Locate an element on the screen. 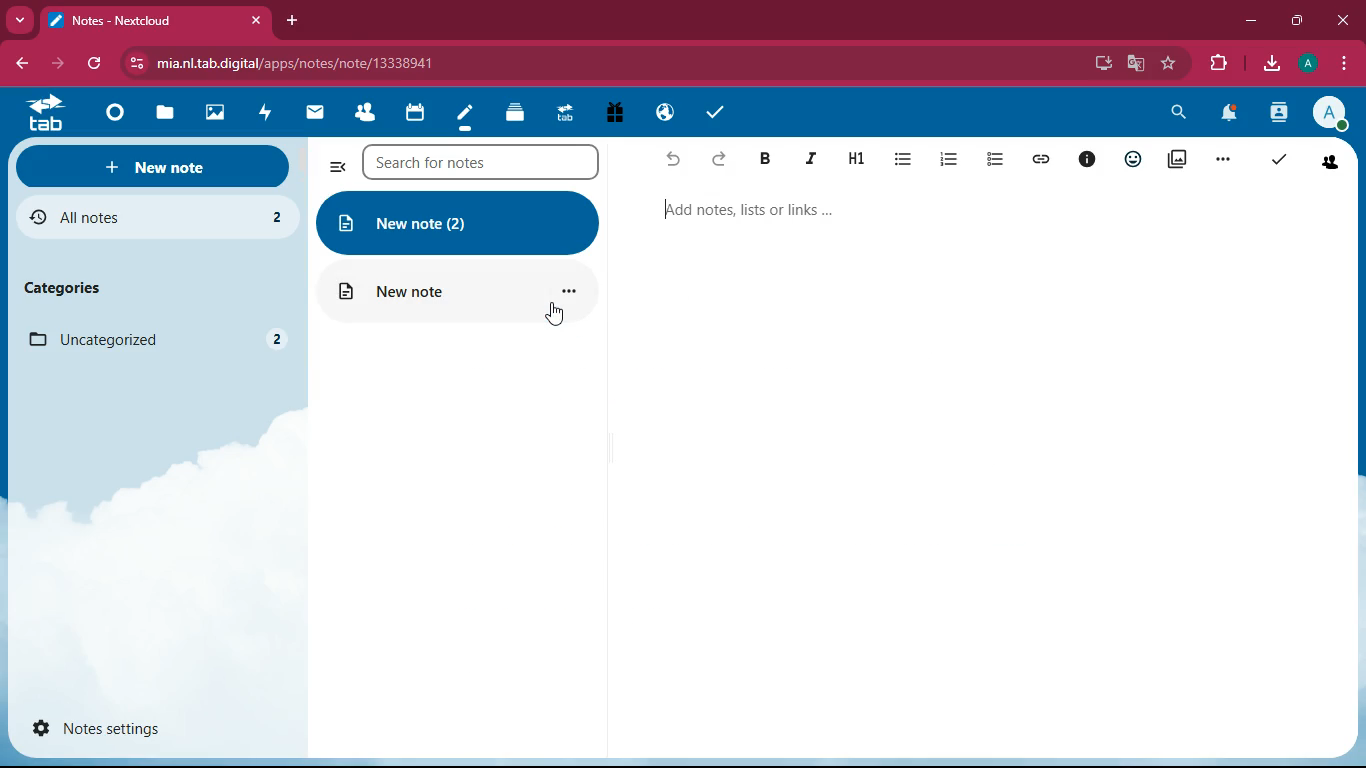  list is located at coordinates (997, 160).